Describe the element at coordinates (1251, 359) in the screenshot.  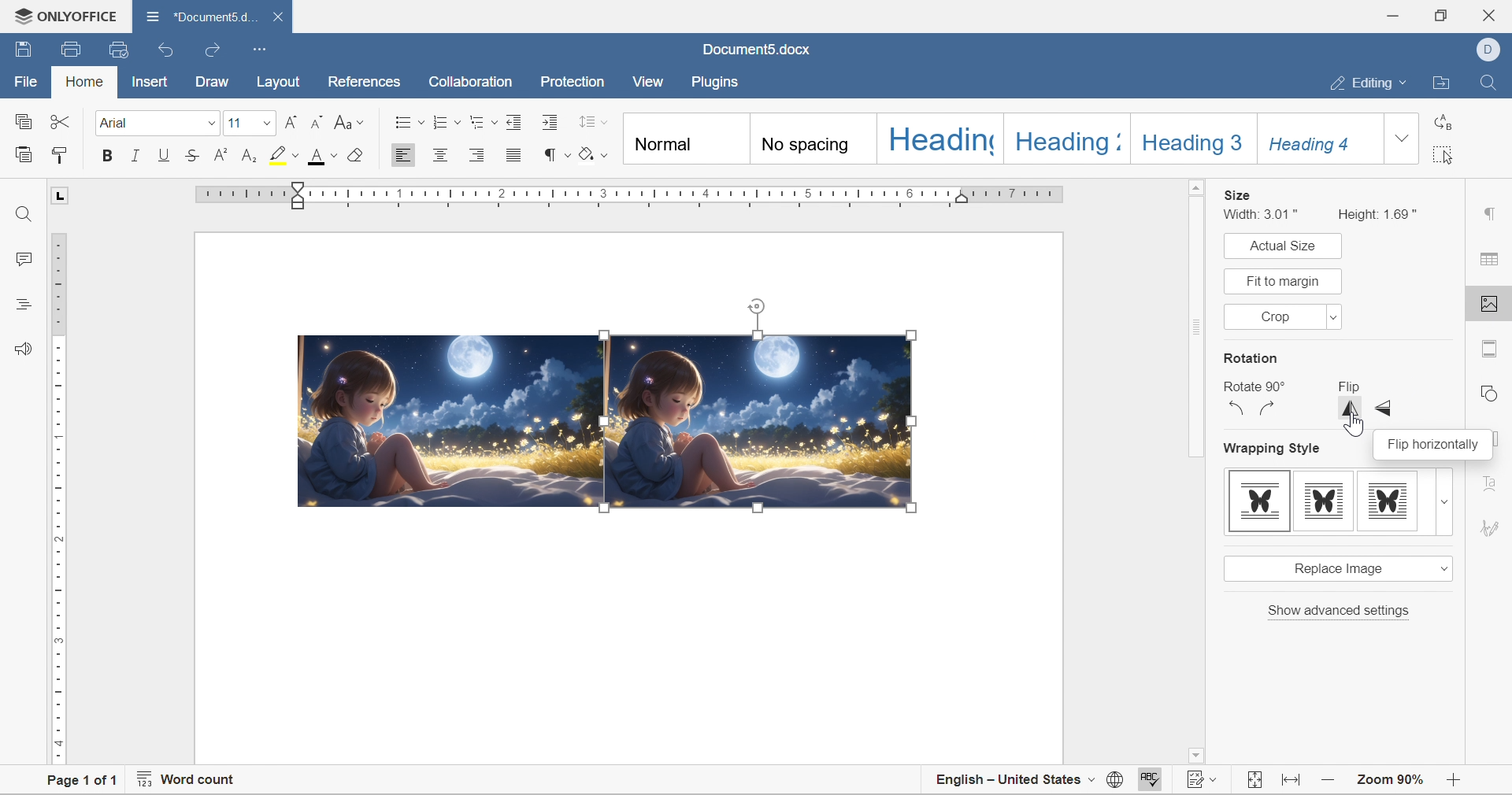
I see `rotation` at that location.